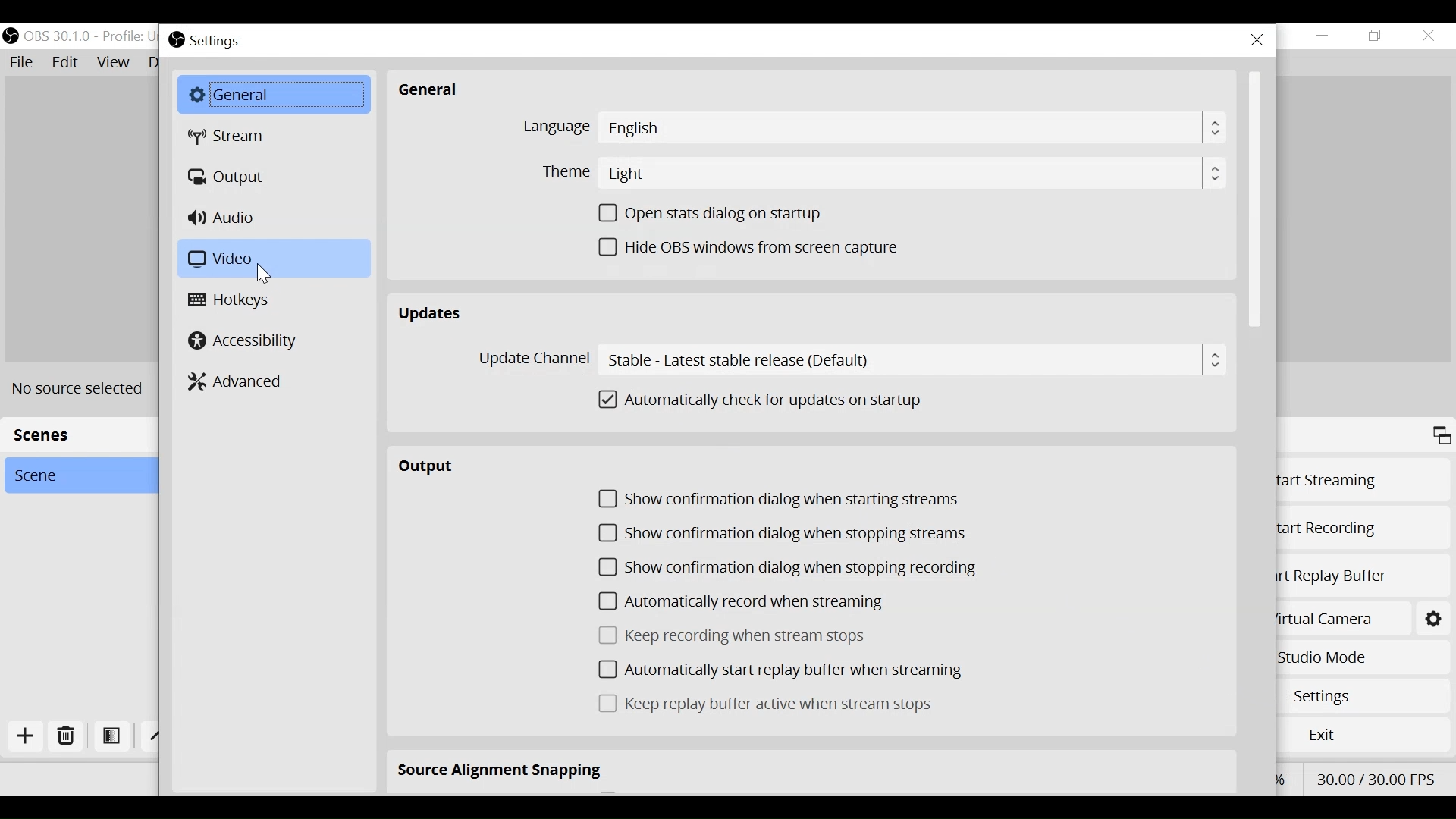 The image size is (1456, 819). What do you see at coordinates (783, 499) in the screenshot?
I see `(un)check confirmation dialog when starting streams` at bounding box center [783, 499].